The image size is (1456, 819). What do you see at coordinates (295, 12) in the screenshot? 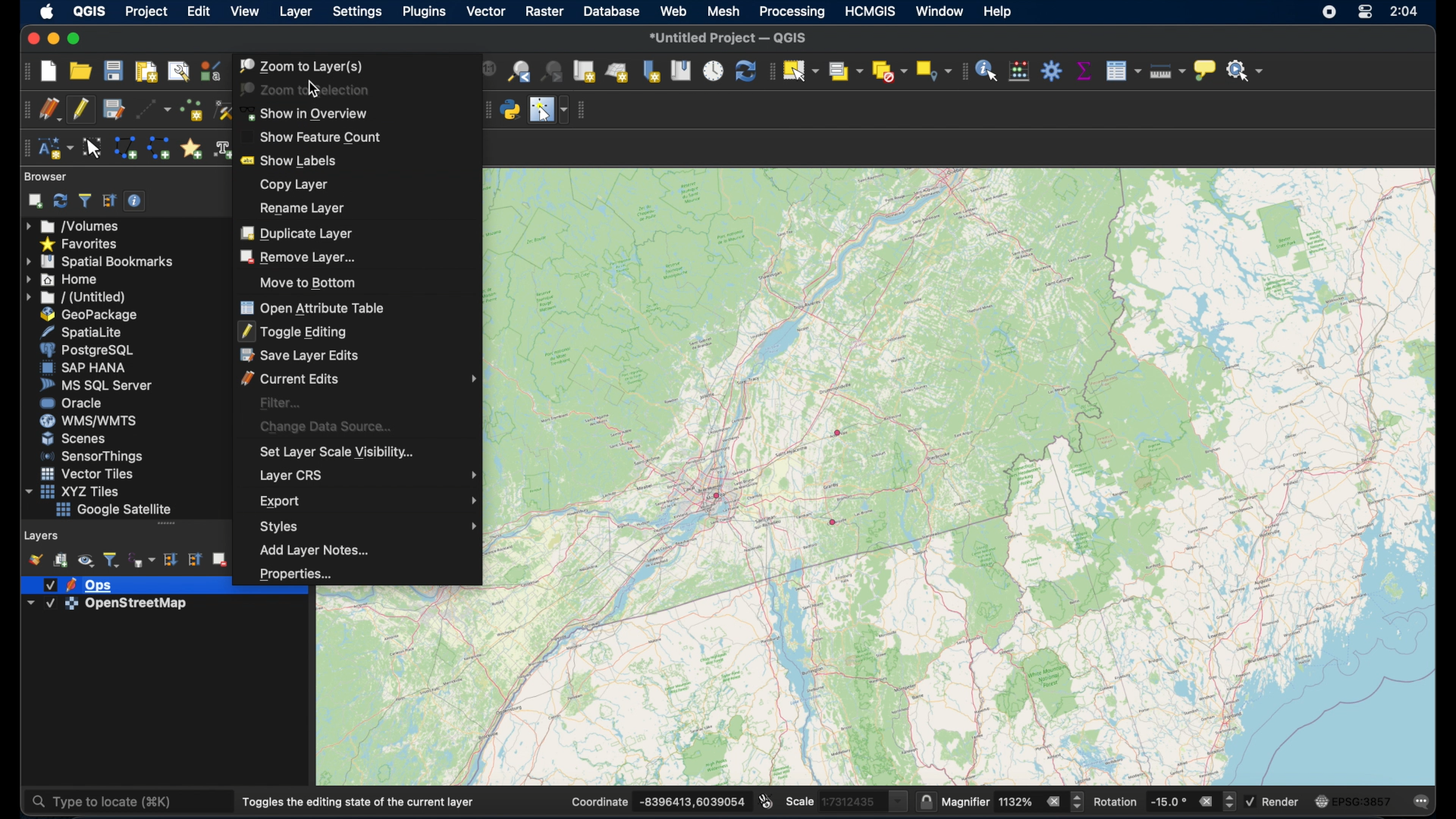
I see `layer` at bounding box center [295, 12].